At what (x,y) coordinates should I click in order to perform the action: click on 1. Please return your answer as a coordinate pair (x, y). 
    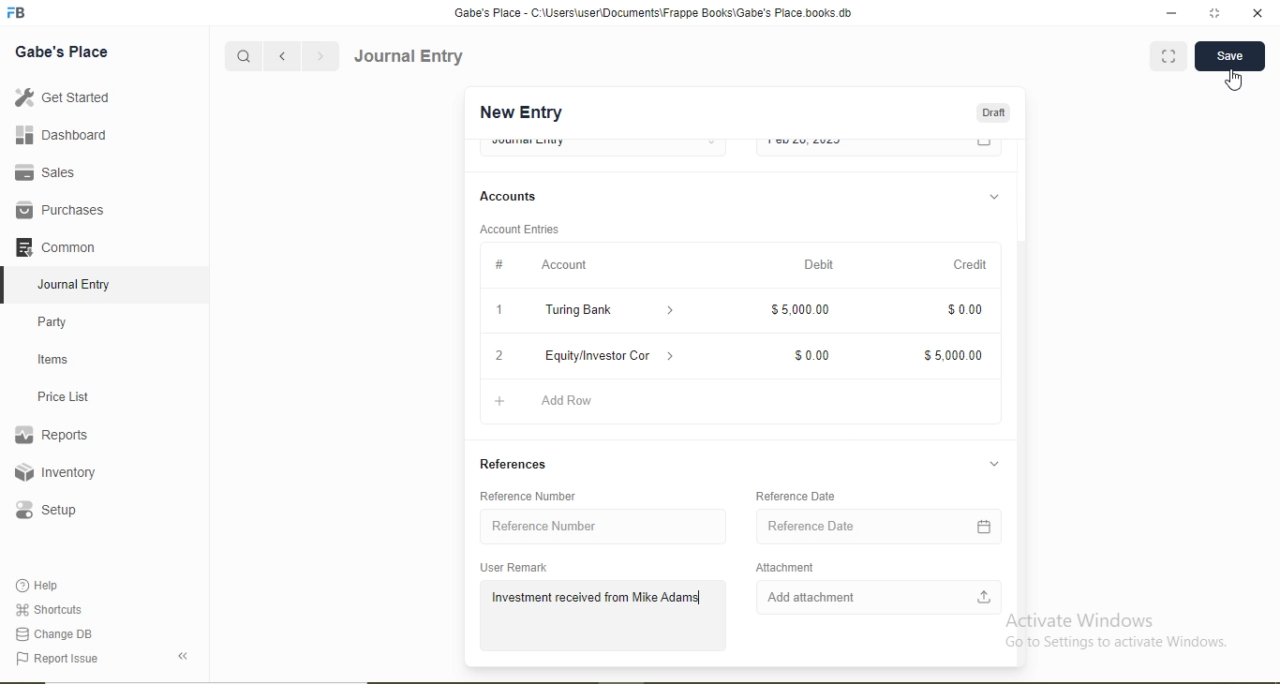
    Looking at the image, I should click on (499, 309).